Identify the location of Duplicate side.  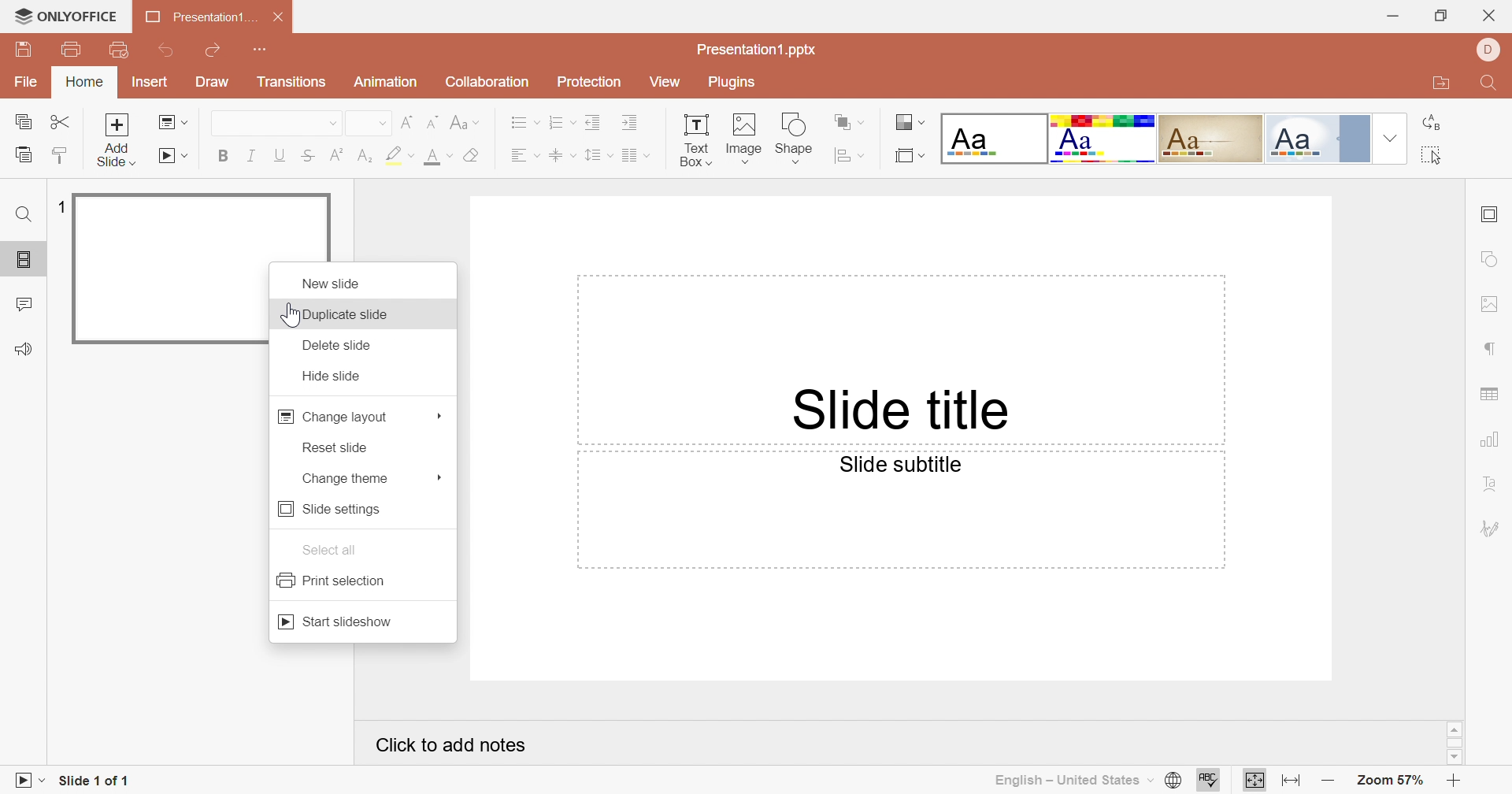
(352, 314).